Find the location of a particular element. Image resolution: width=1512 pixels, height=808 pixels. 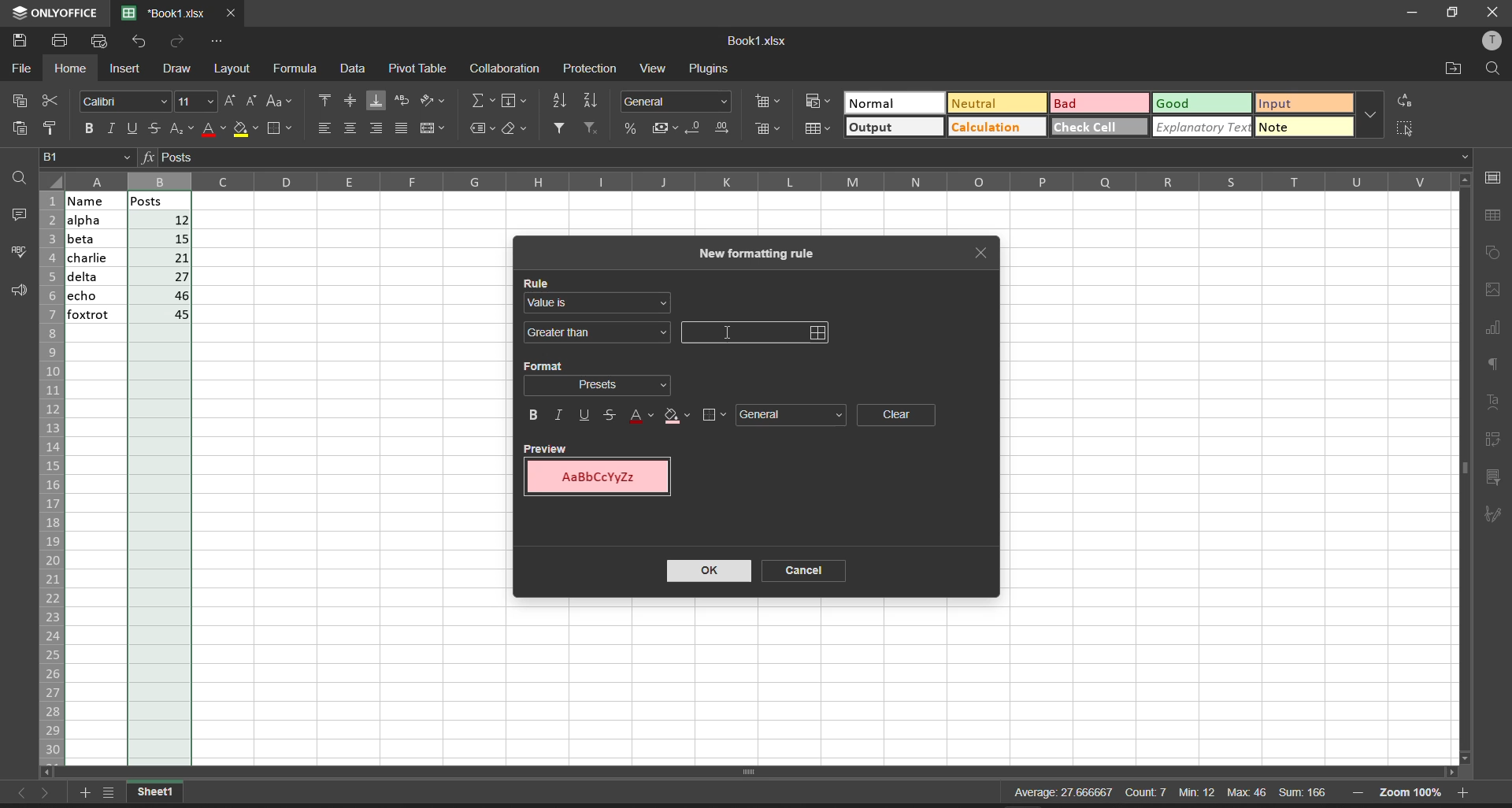

view is located at coordinates (654, 68).